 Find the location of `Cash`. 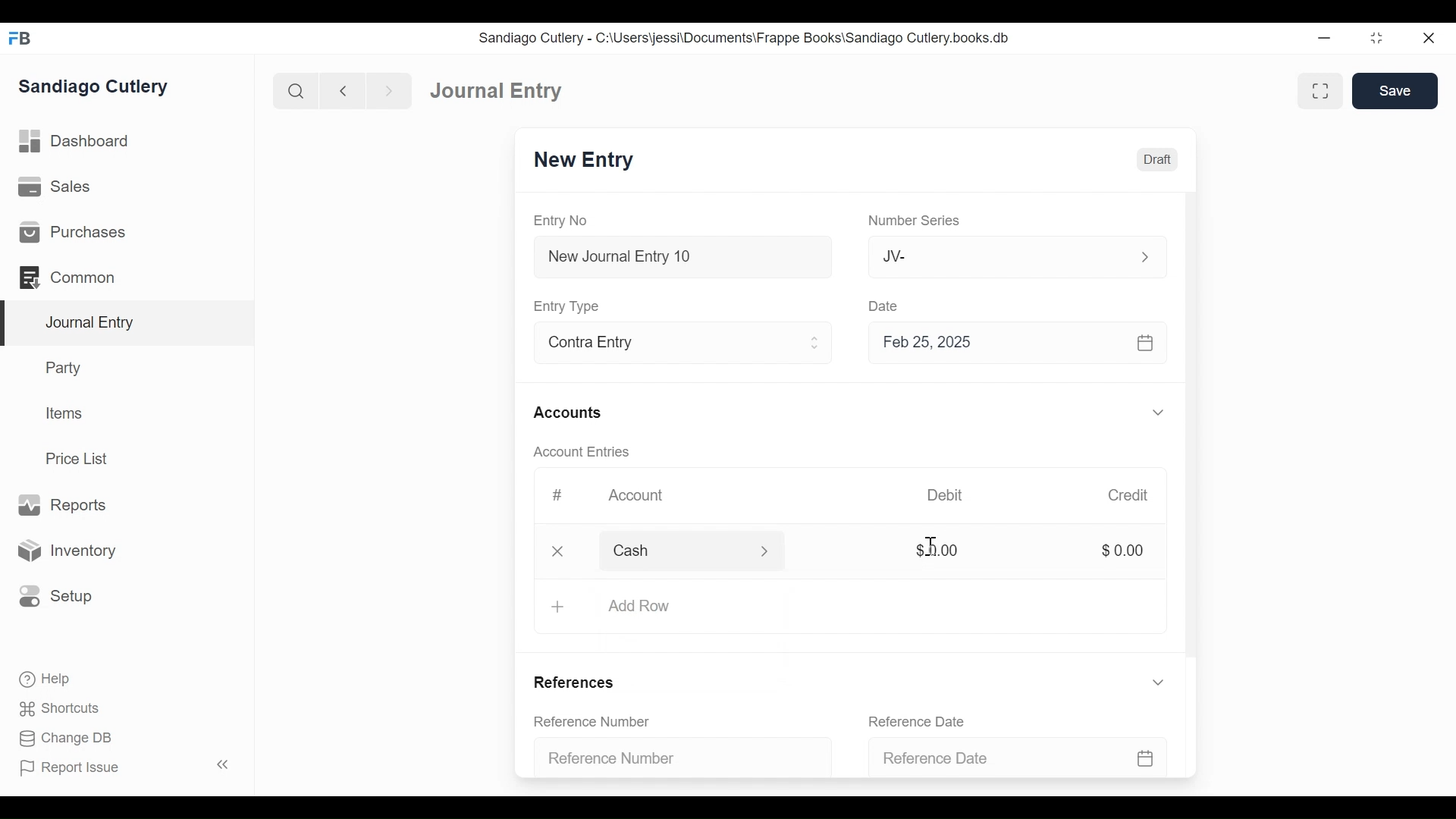

Cash is located at coordinates (676, 550).